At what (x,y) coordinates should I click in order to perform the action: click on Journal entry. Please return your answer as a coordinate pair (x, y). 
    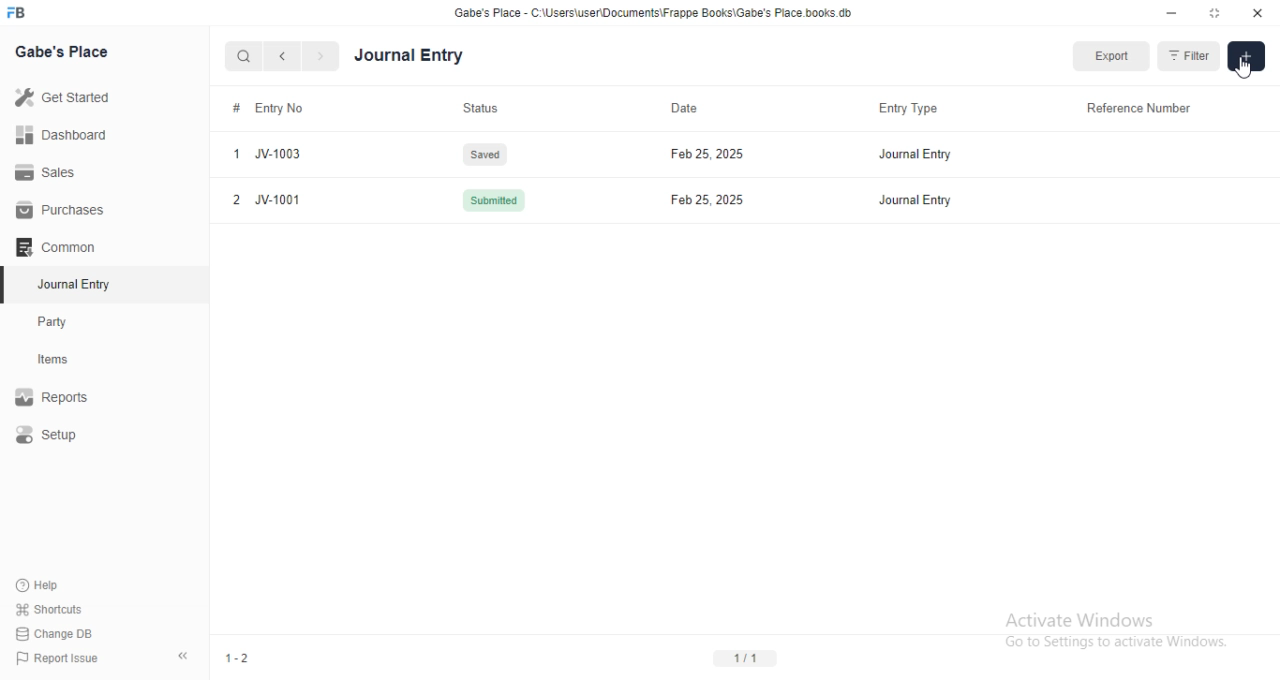
    Looking at the image, I should click on (915, 201).